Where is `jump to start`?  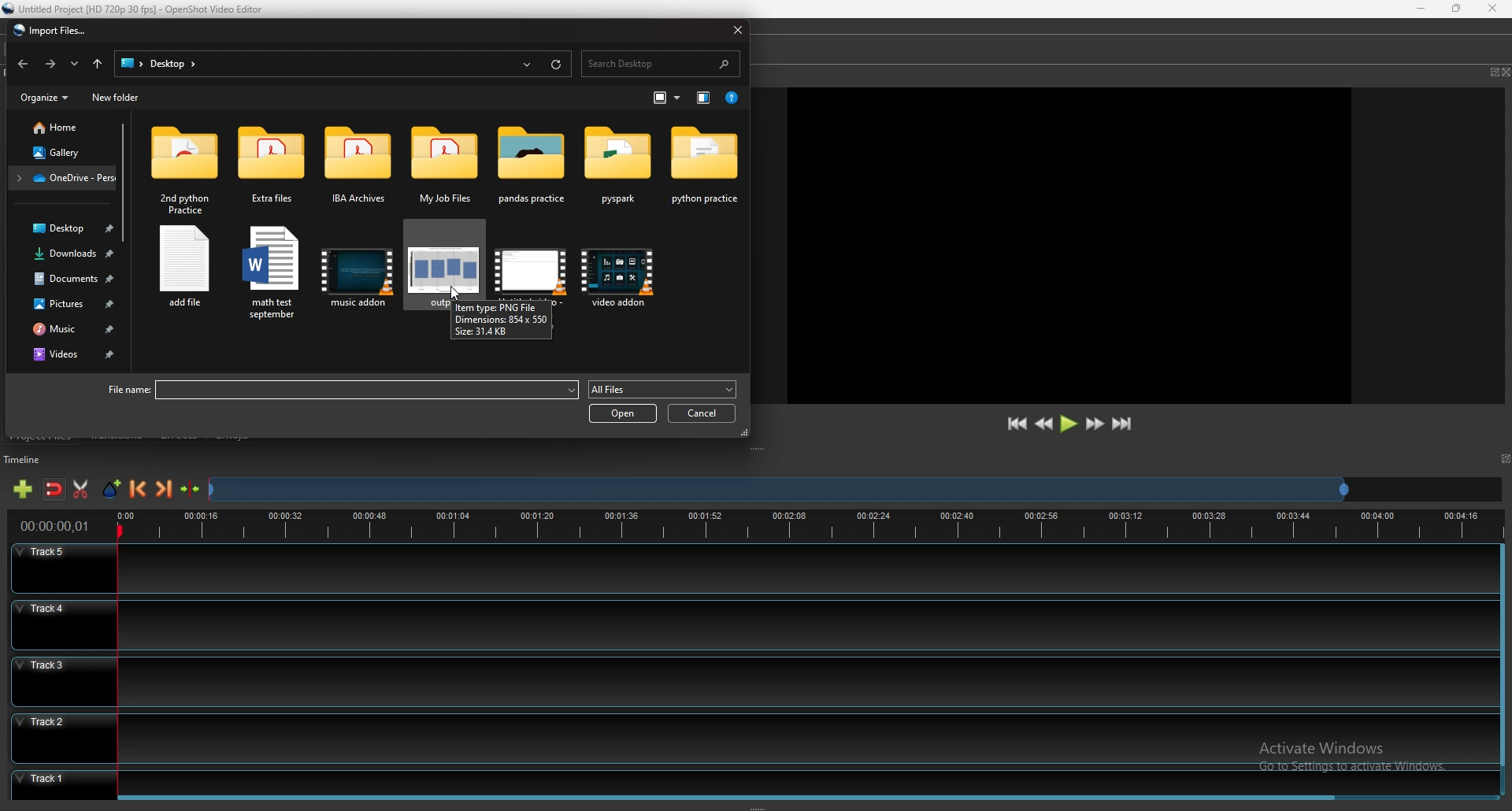 jump to start is located at coordinates (1016, 424).